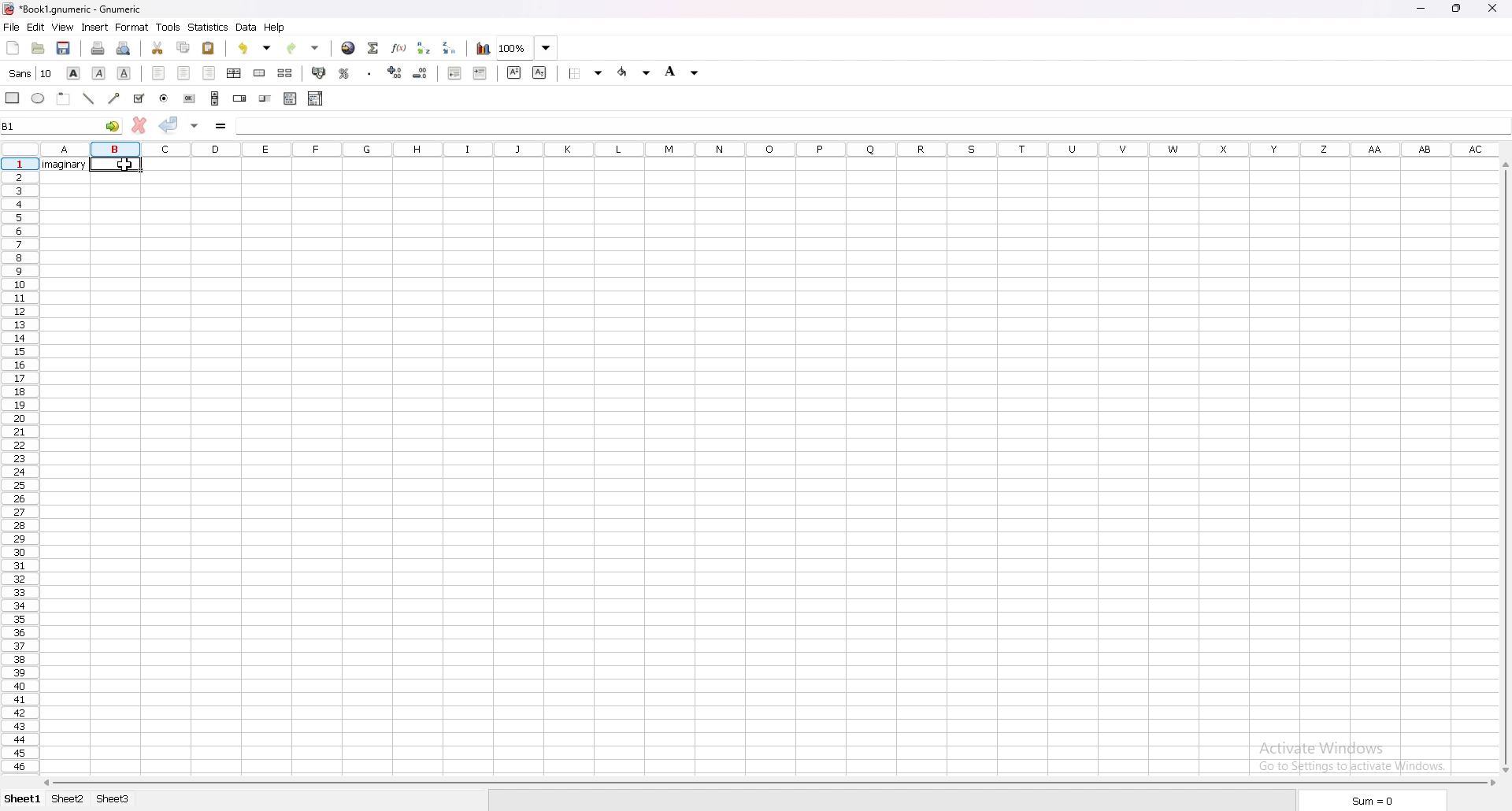 The image size is (1512, 811). What do you see at coordinates (114, 99) in the screenshot?
I see `arrowed line` at bounding box center [114, 99].